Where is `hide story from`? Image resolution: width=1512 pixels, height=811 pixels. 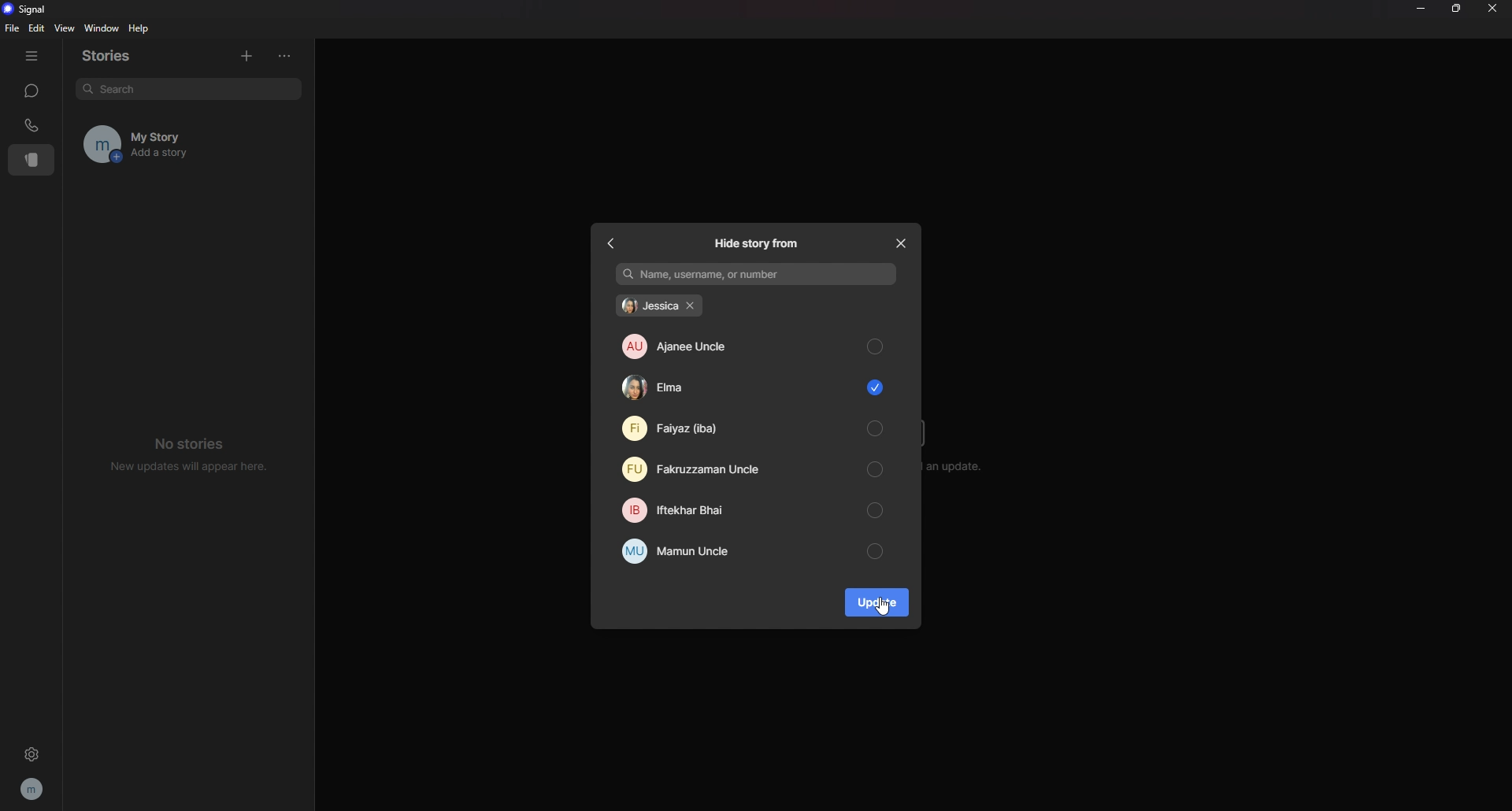
hide story from is located at coordinates (762, 243).